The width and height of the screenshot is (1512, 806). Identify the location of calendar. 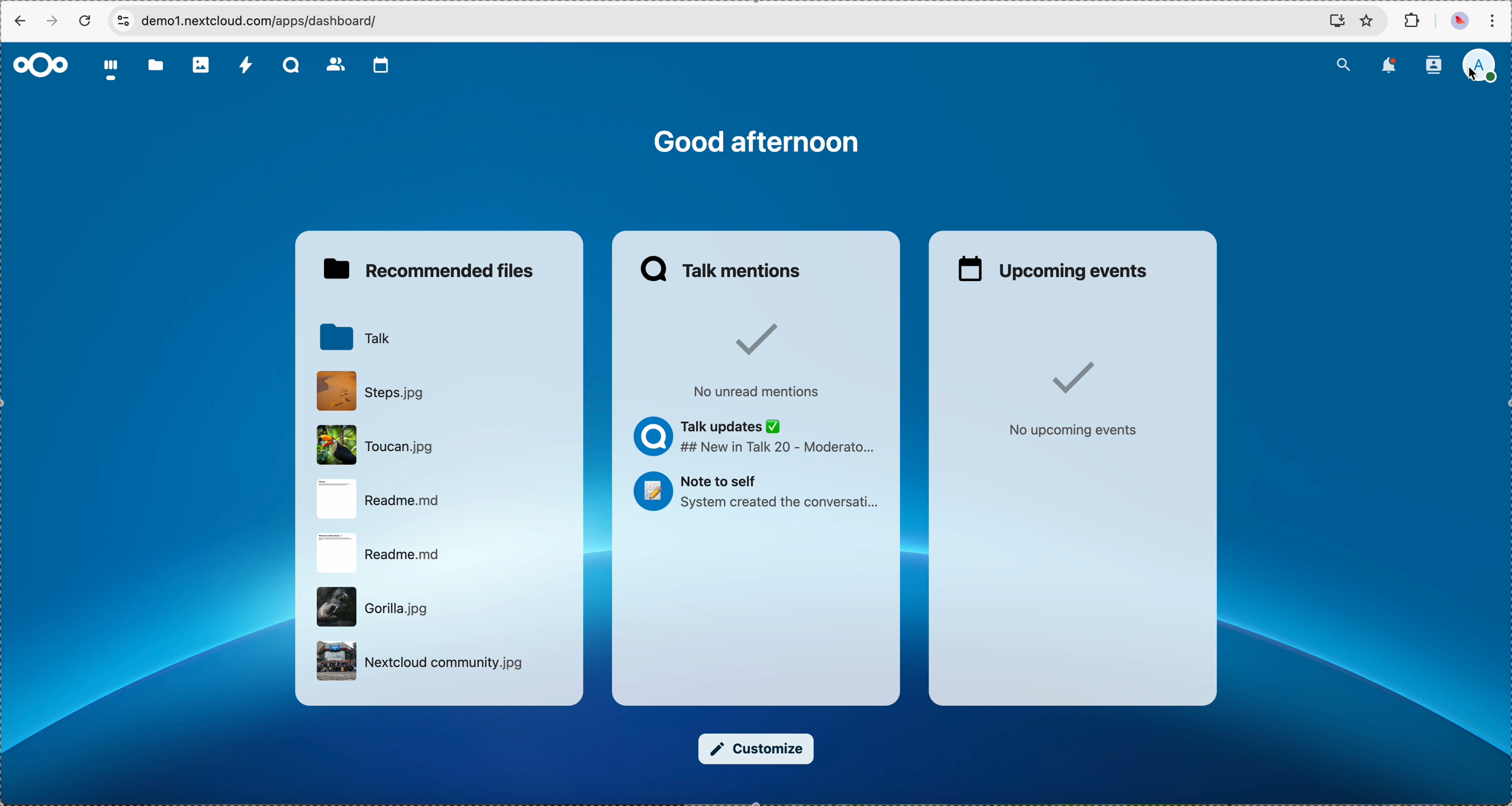
(382, 65).